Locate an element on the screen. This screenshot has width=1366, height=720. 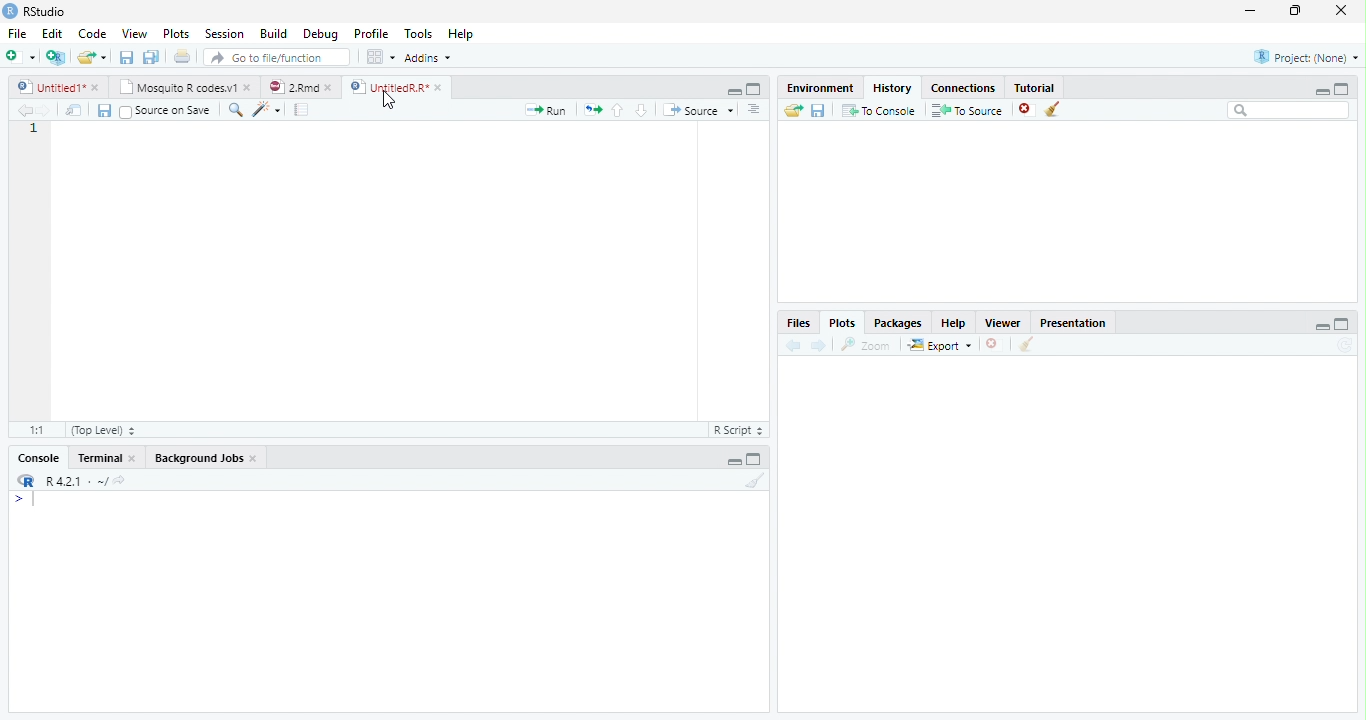
Minimize is located at coordinates (1322, 328).